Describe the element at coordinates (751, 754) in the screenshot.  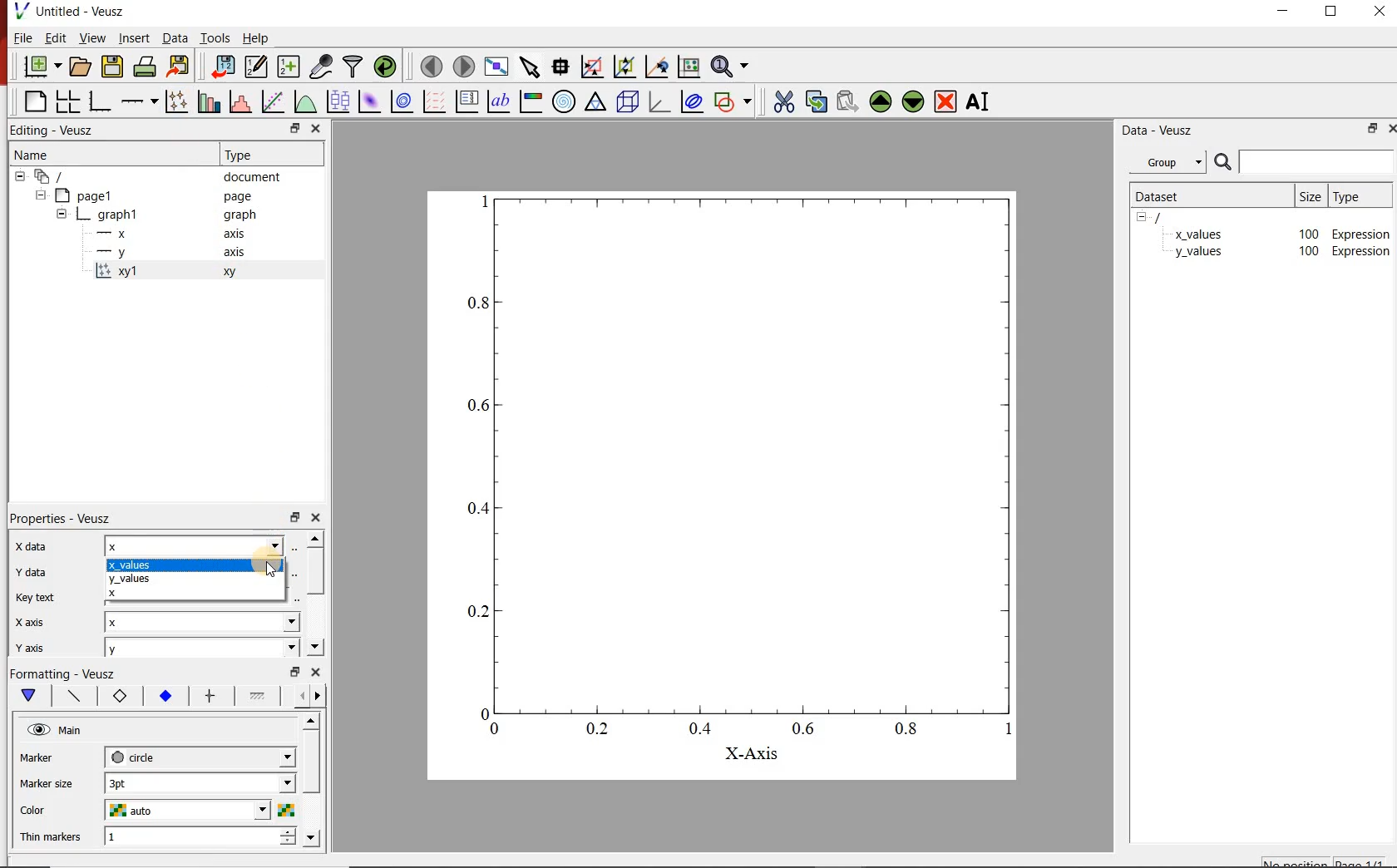
I see `X-Axis` at that location.